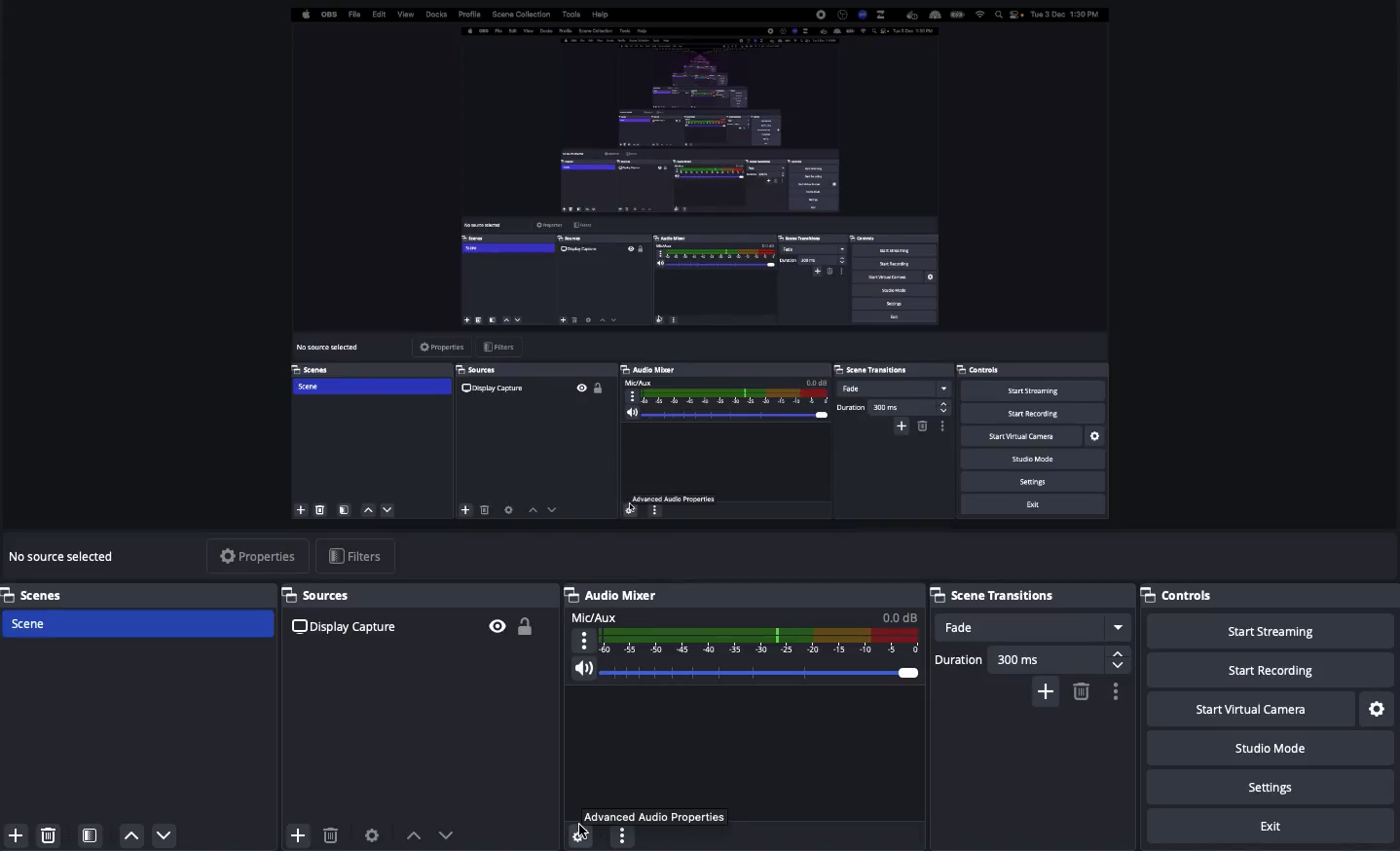 Image resolution: width=1400 pixels, height=851 pixels. Describe the element at coordinates (1177, 594) in the screenshot. I see `Controls` at that location.